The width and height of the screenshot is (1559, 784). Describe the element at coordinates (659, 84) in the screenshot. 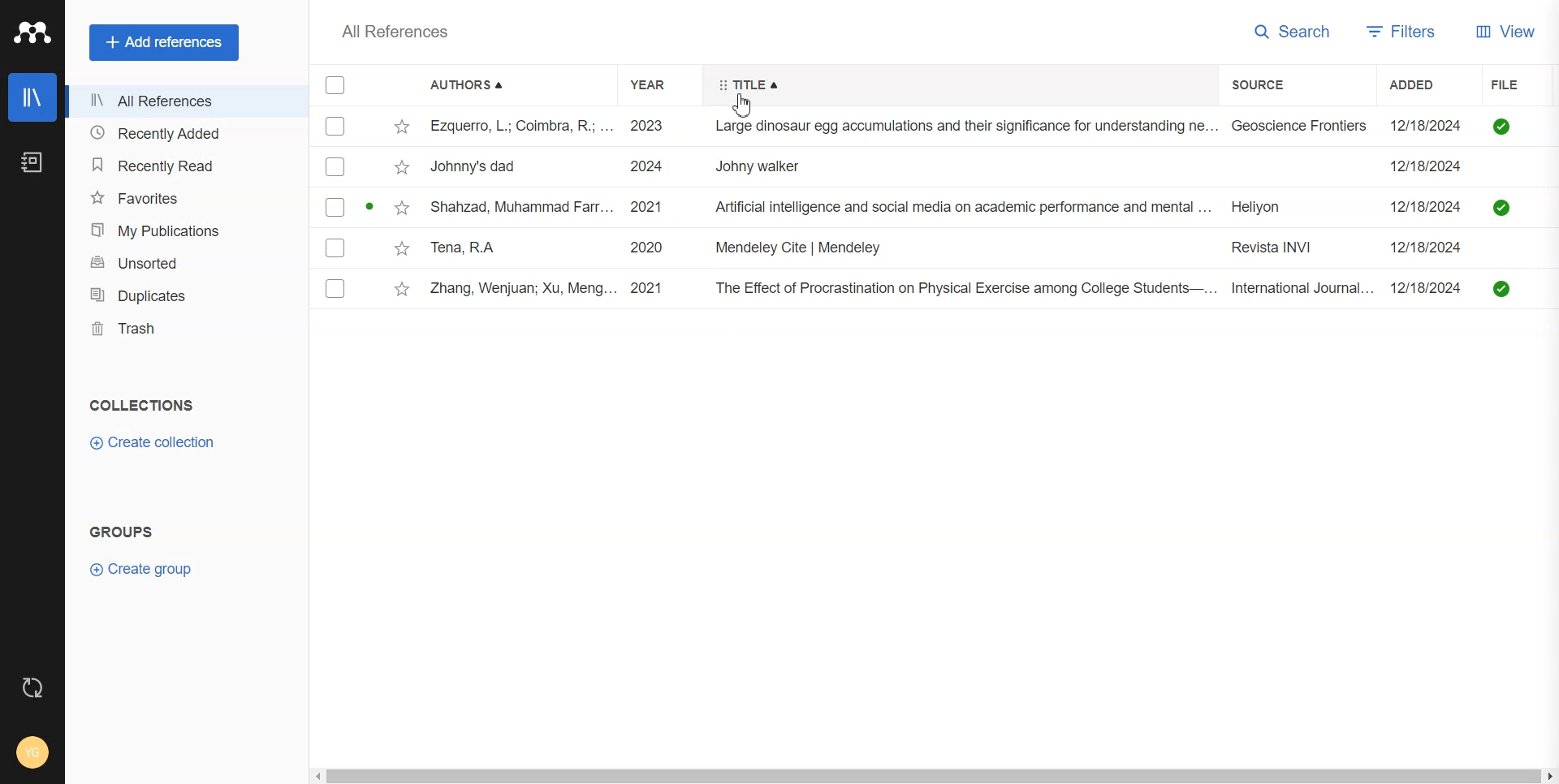

I see `Year` at that location.